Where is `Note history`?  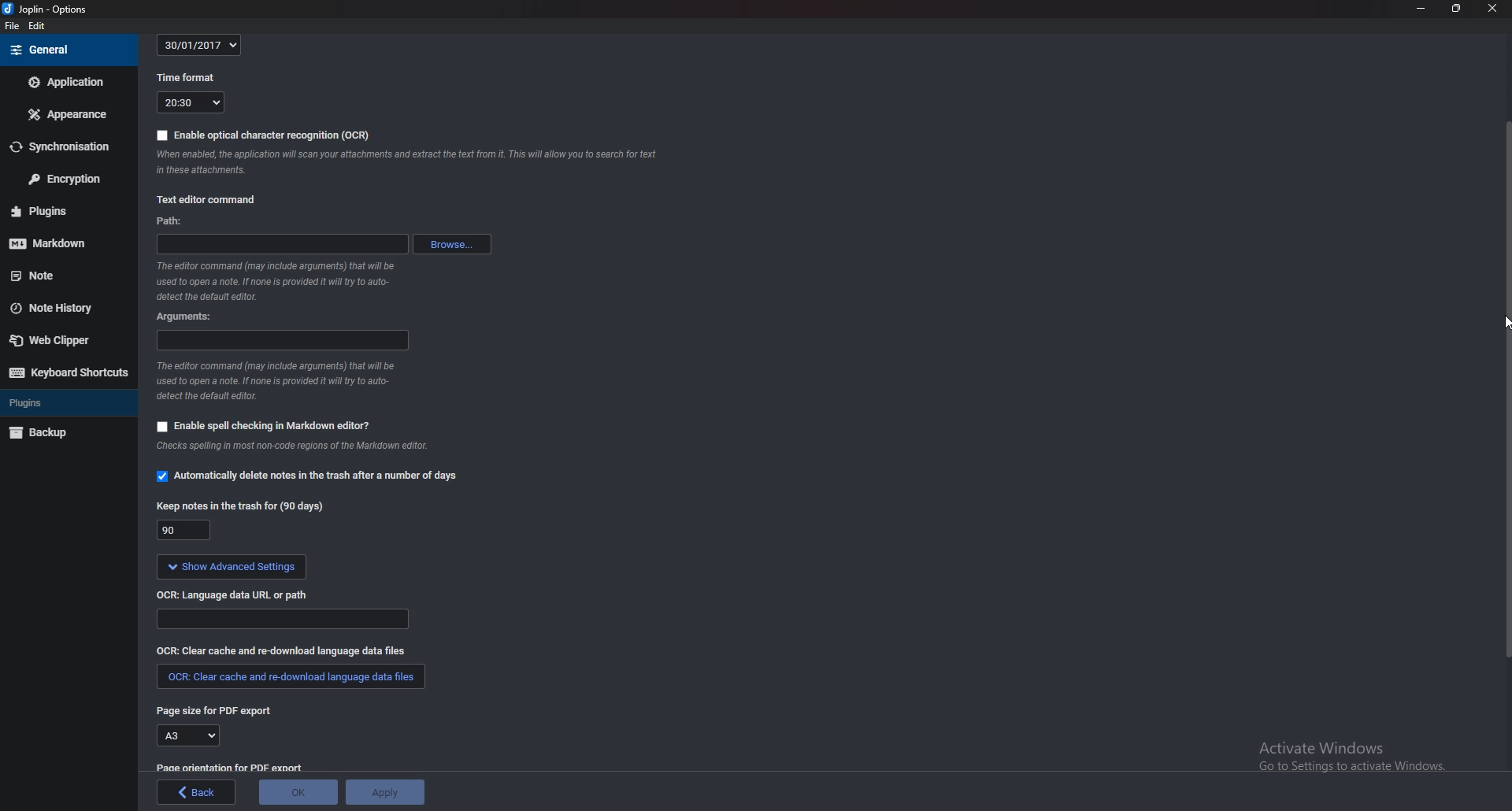
Note history is located at coordinates (58, 308).